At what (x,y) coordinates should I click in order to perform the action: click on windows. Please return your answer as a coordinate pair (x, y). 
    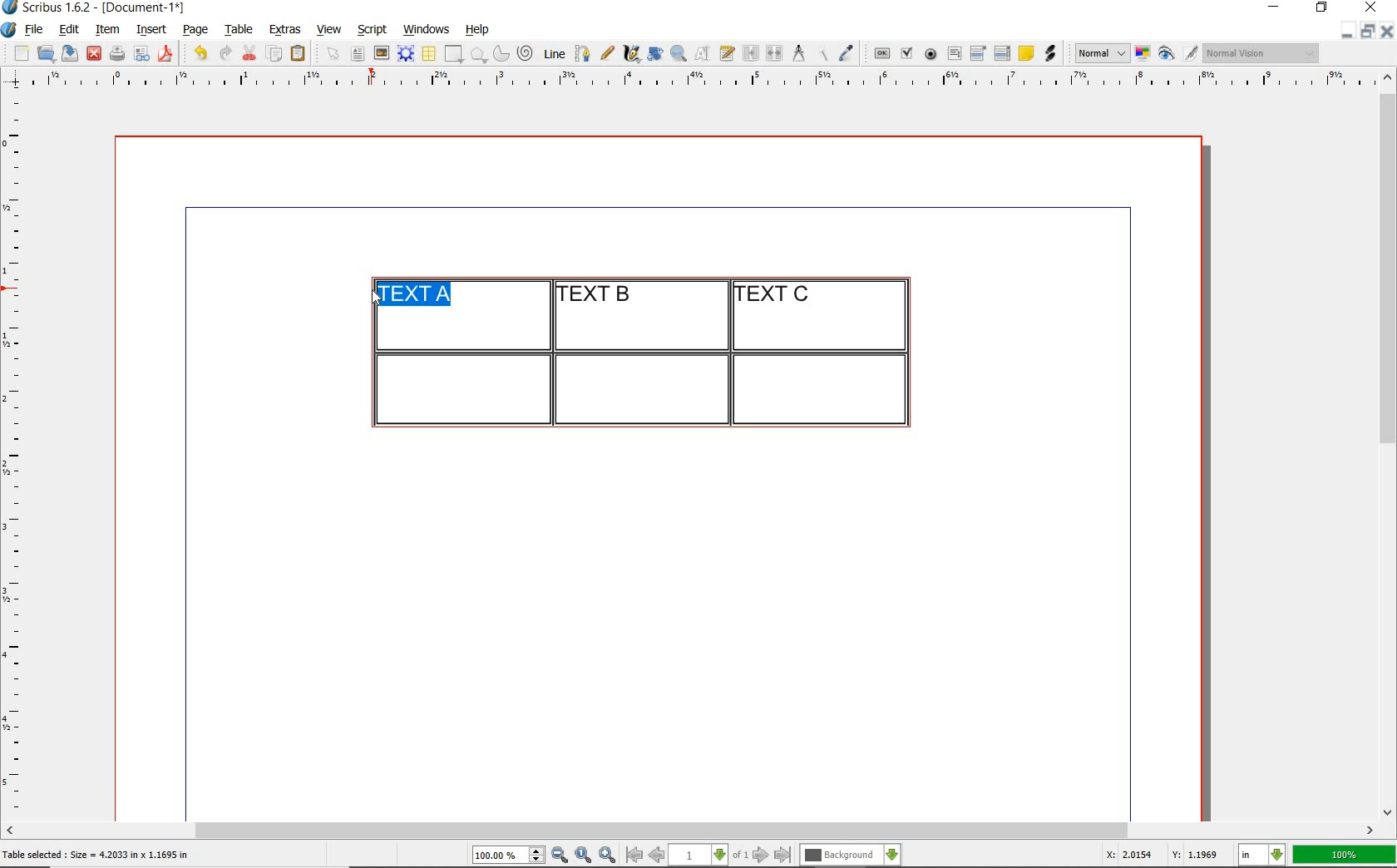
    Looking at the image, I should click on (427, 30).